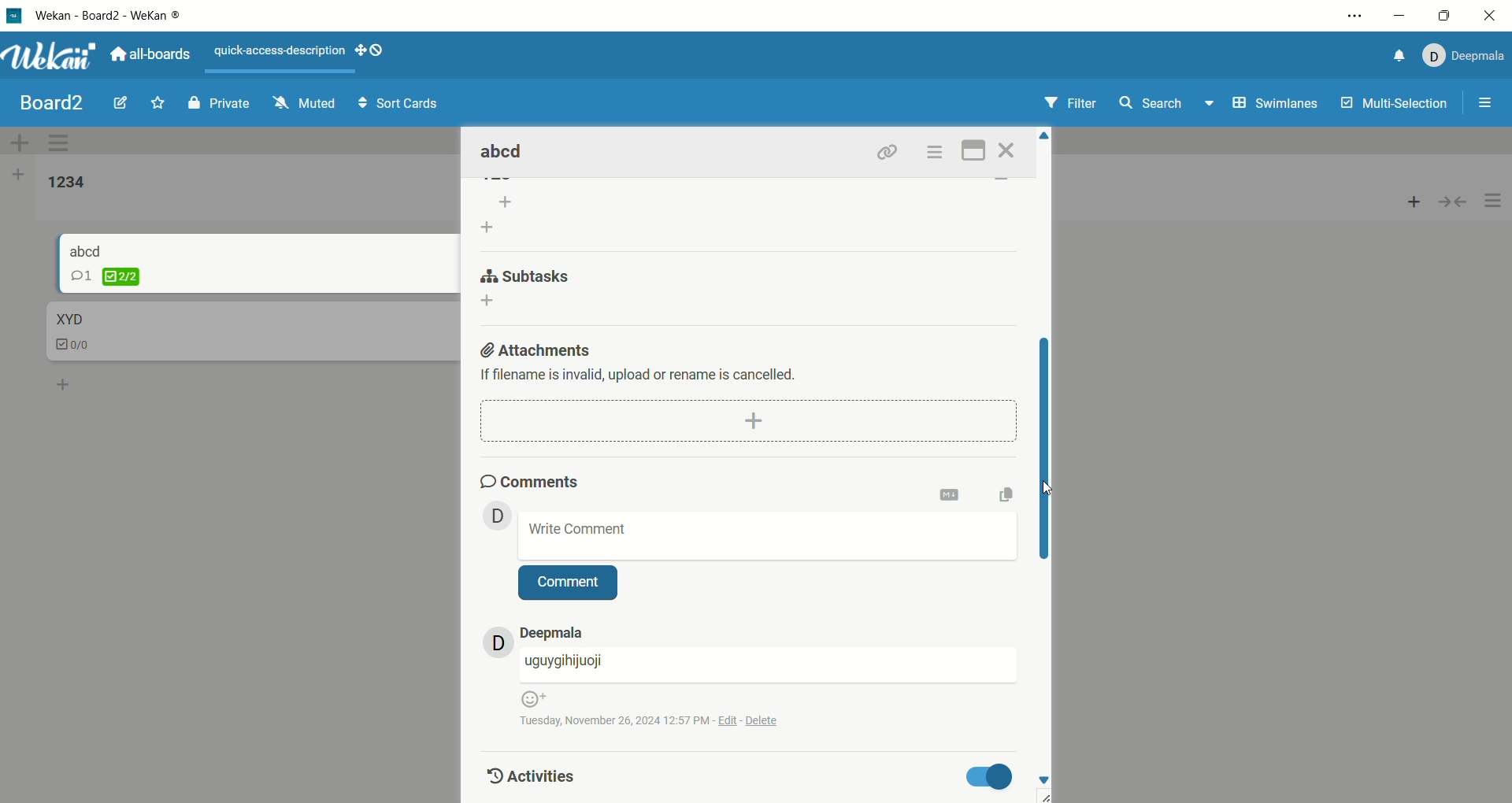 This screenshot has width=1512, height=803. I want to click on vertical scroll bar, so click(1046, 450).